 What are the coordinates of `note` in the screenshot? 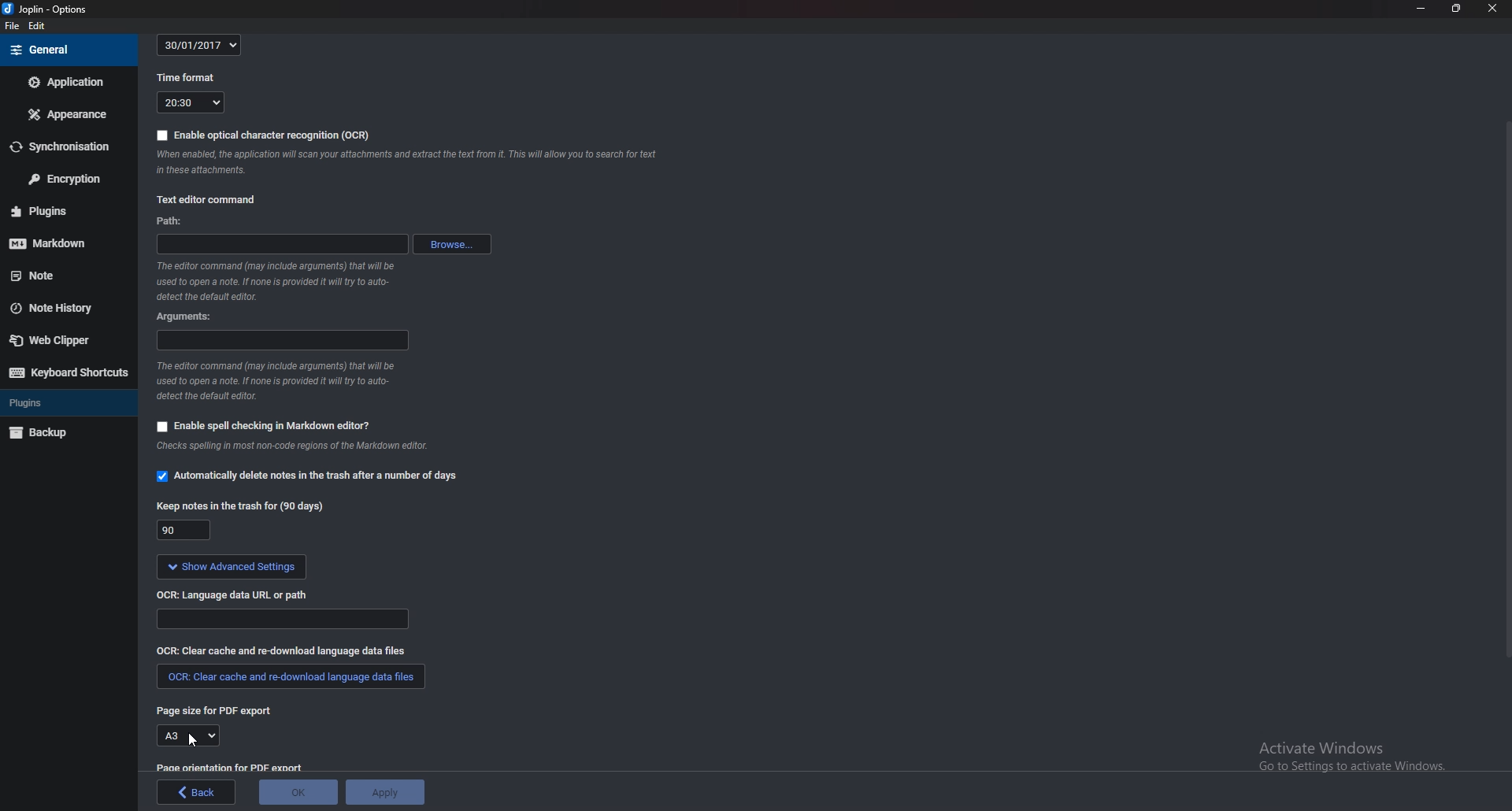 It's located at (54, 275).